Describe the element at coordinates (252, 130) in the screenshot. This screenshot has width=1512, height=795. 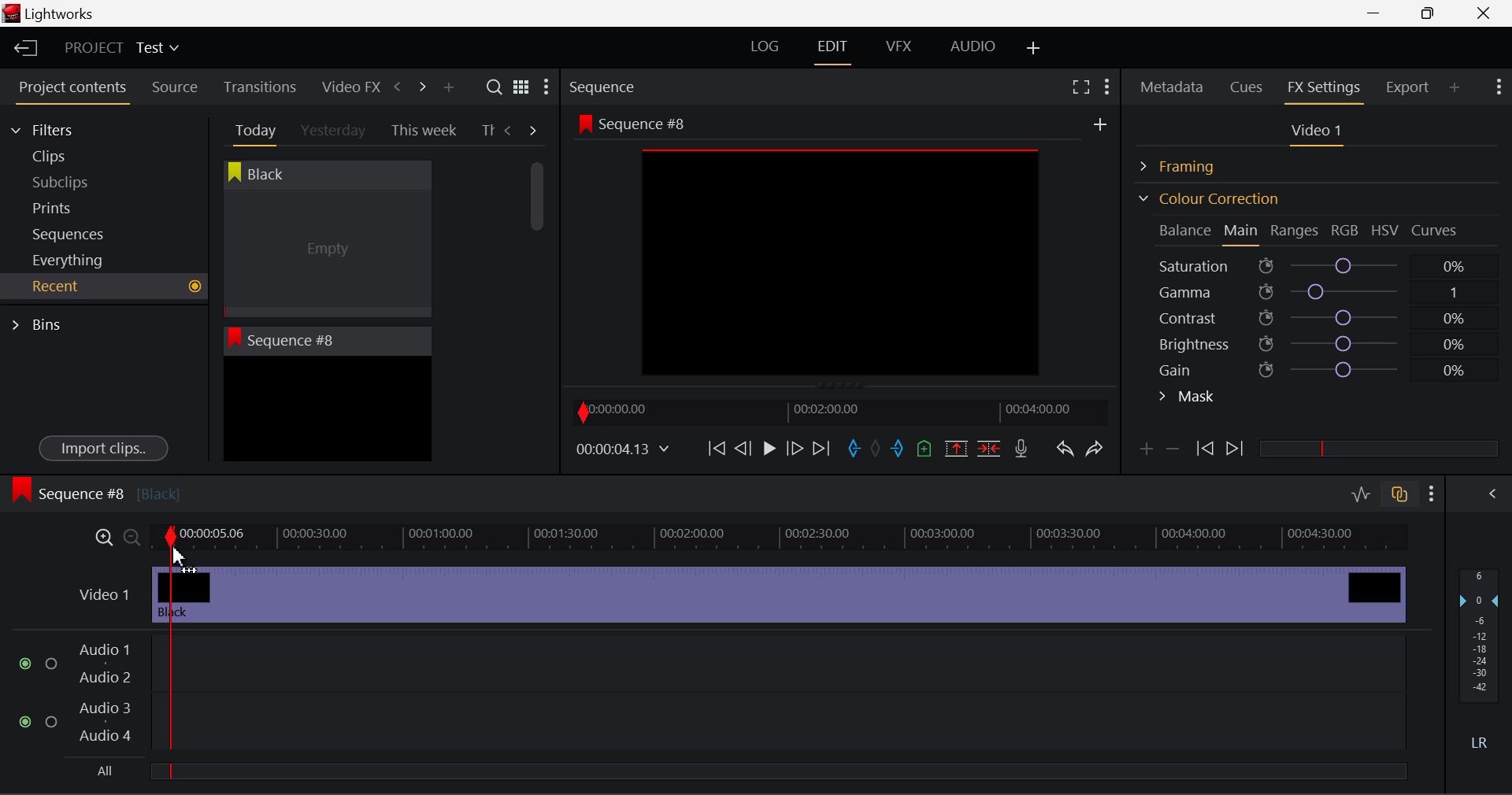
I see `Today Tab Open` at that location.